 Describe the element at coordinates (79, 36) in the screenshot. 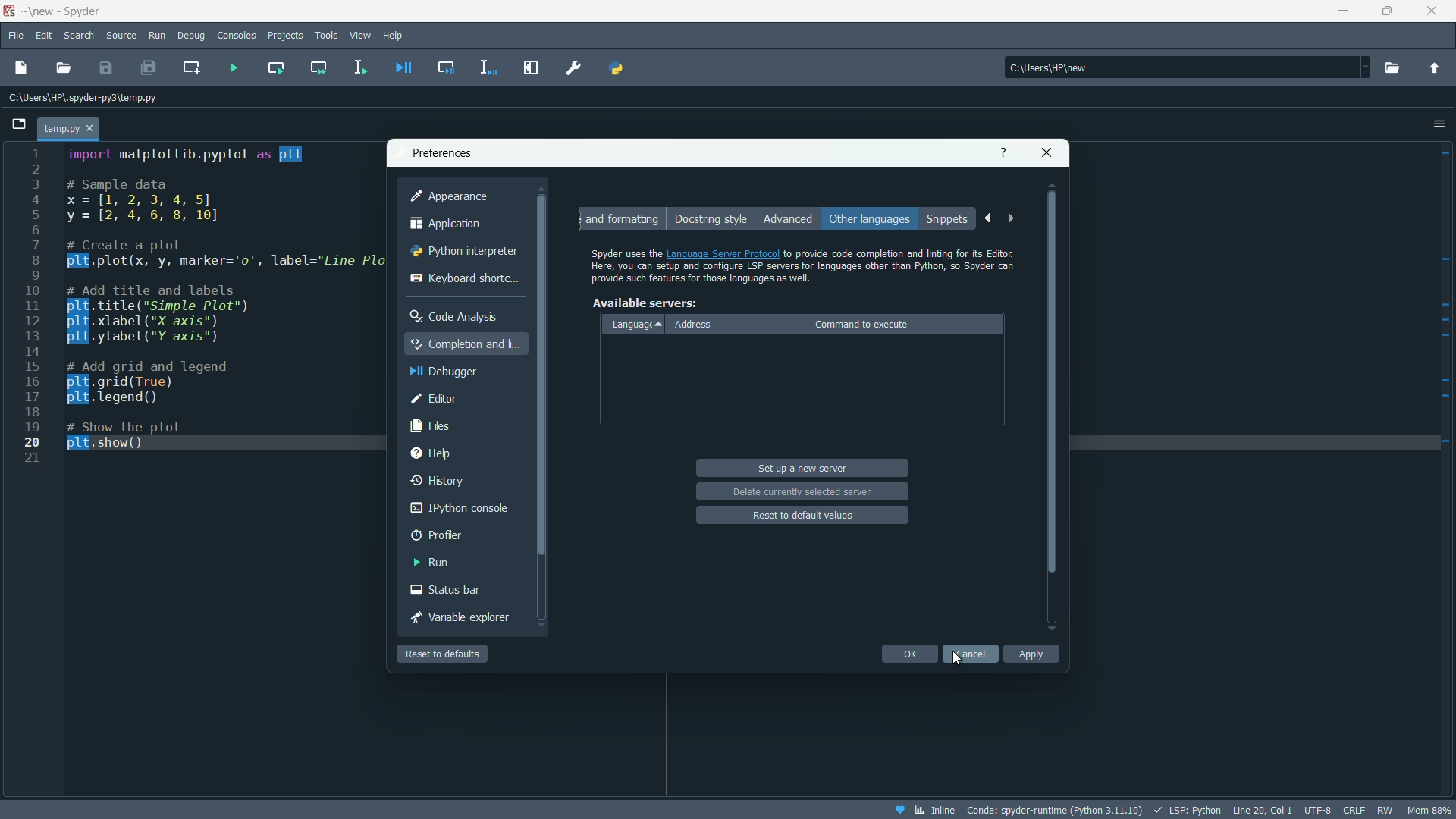

I see `search` at that location.